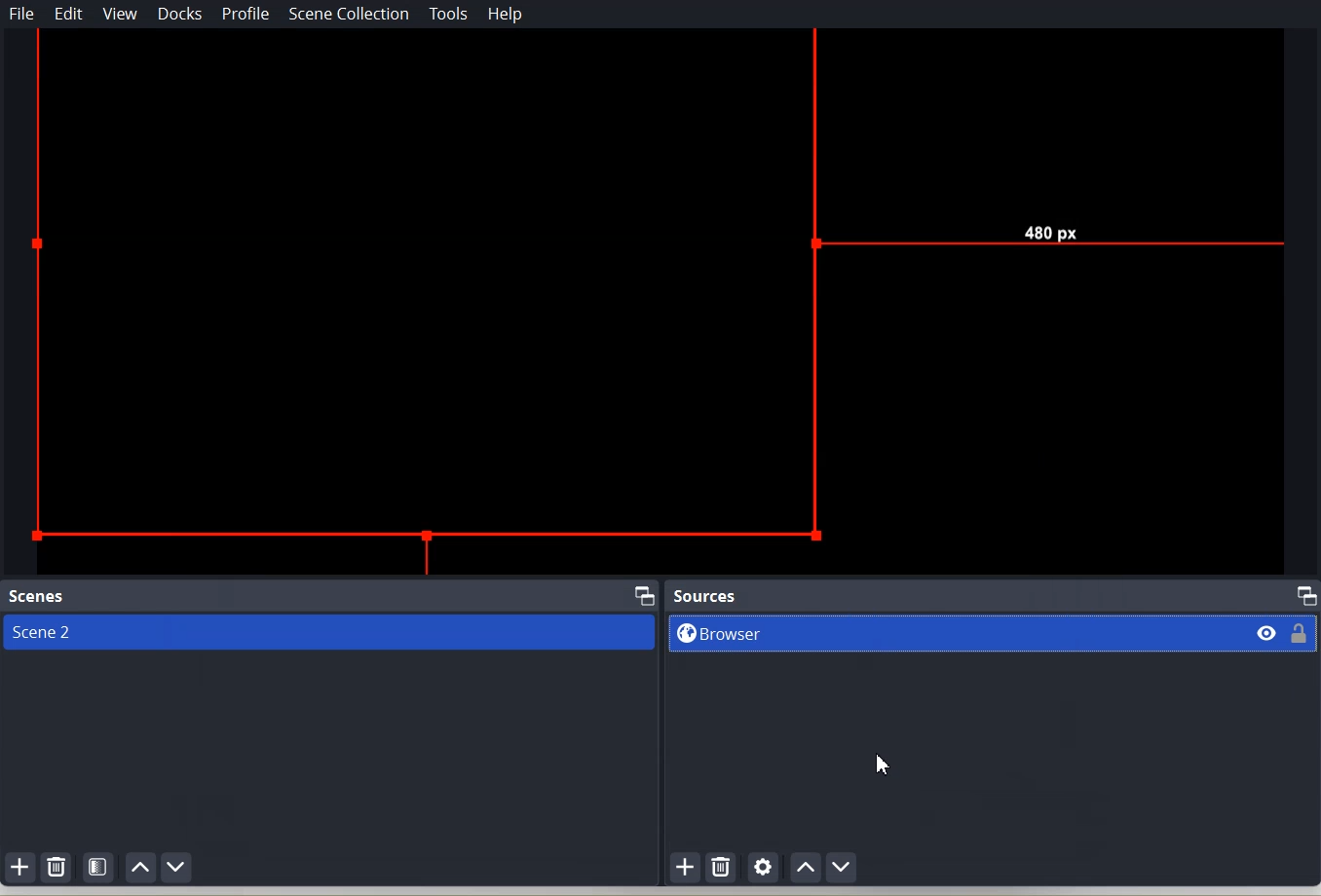 The image size is (1321, 896). Describe the element at coordinates (686, 868) in the screenshot. I see `Add source` at that location.